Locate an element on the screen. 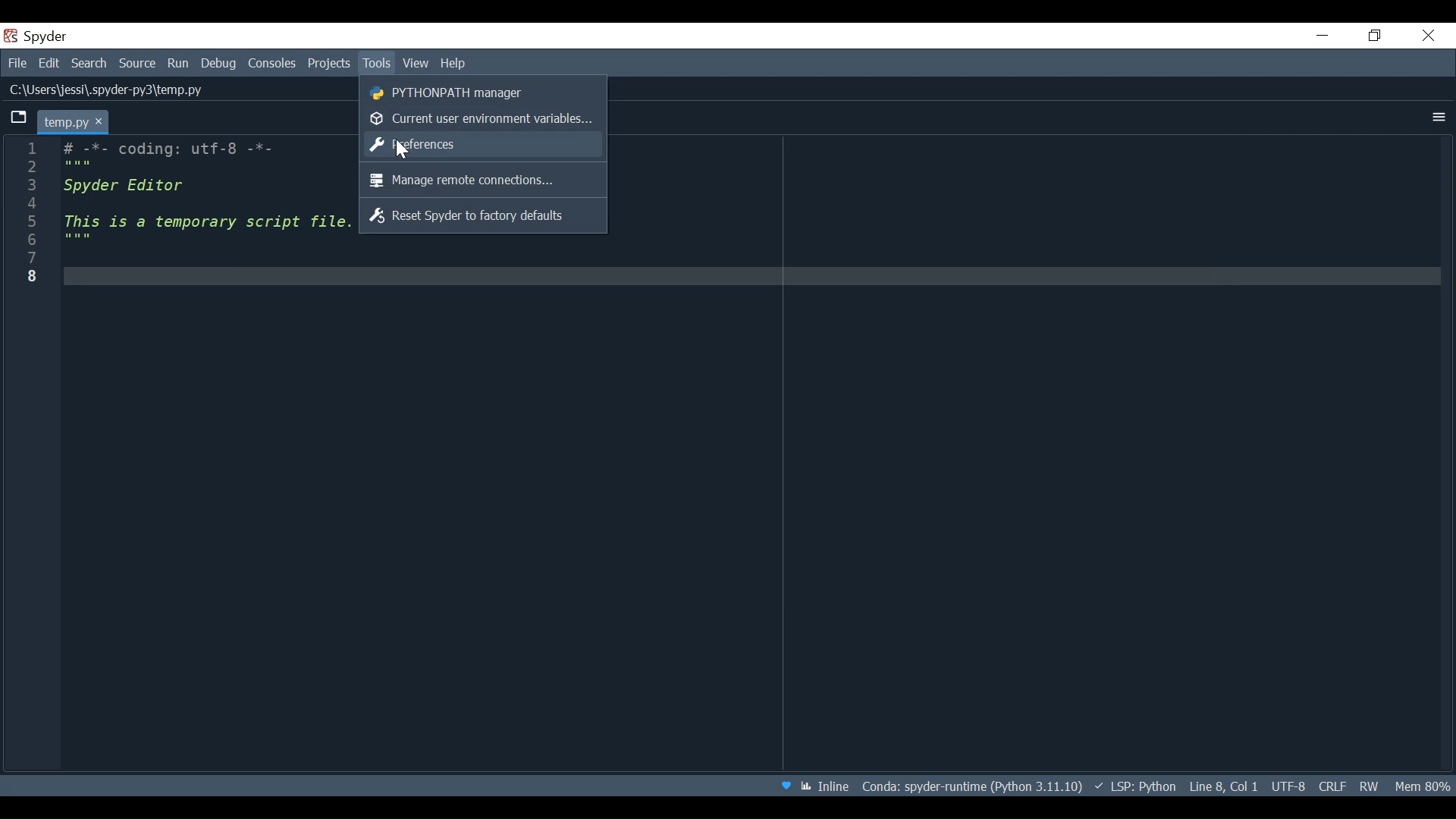  View is located at coordinates (416, 63).